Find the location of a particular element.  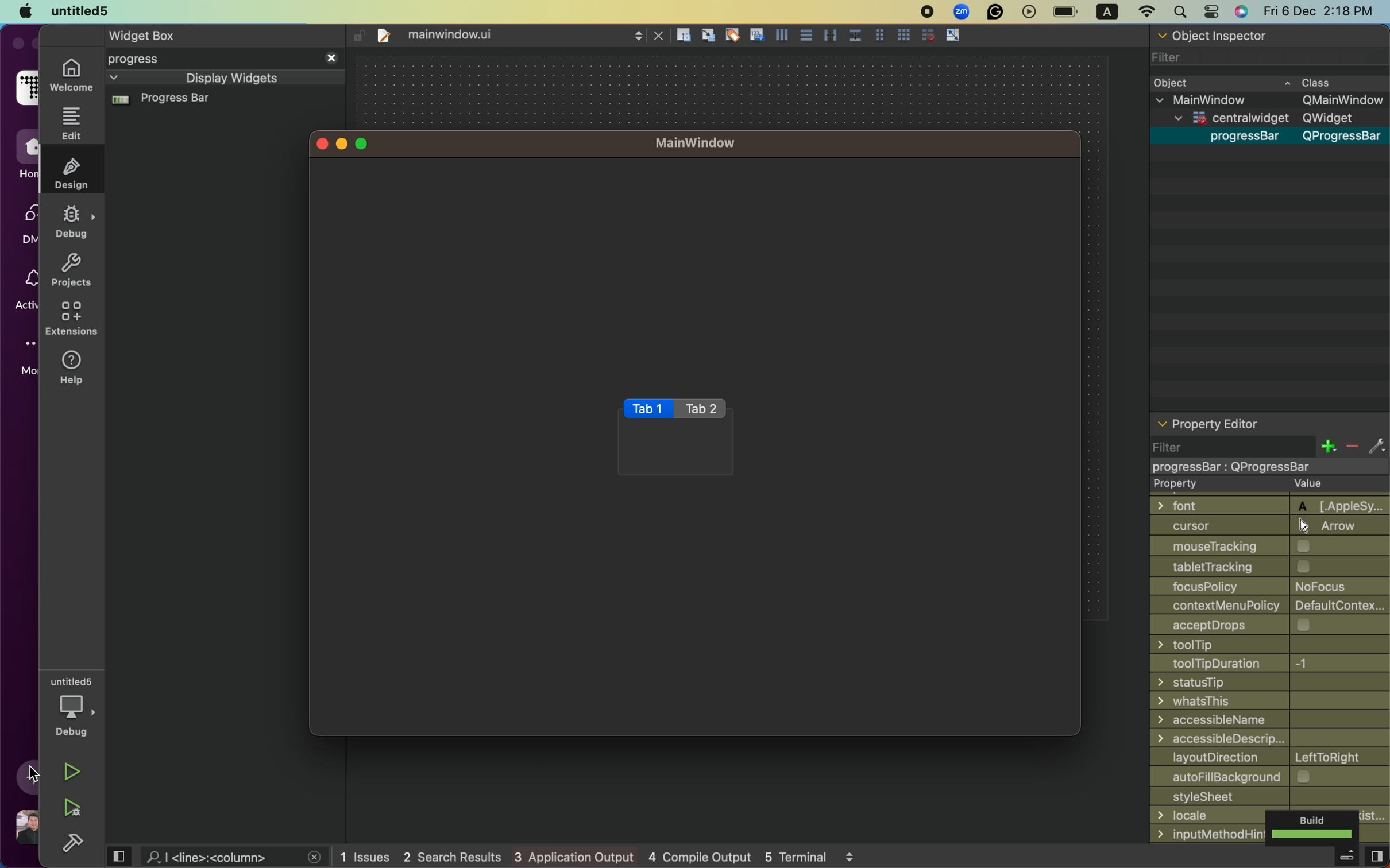

play is located at coordinates (1030, 11).